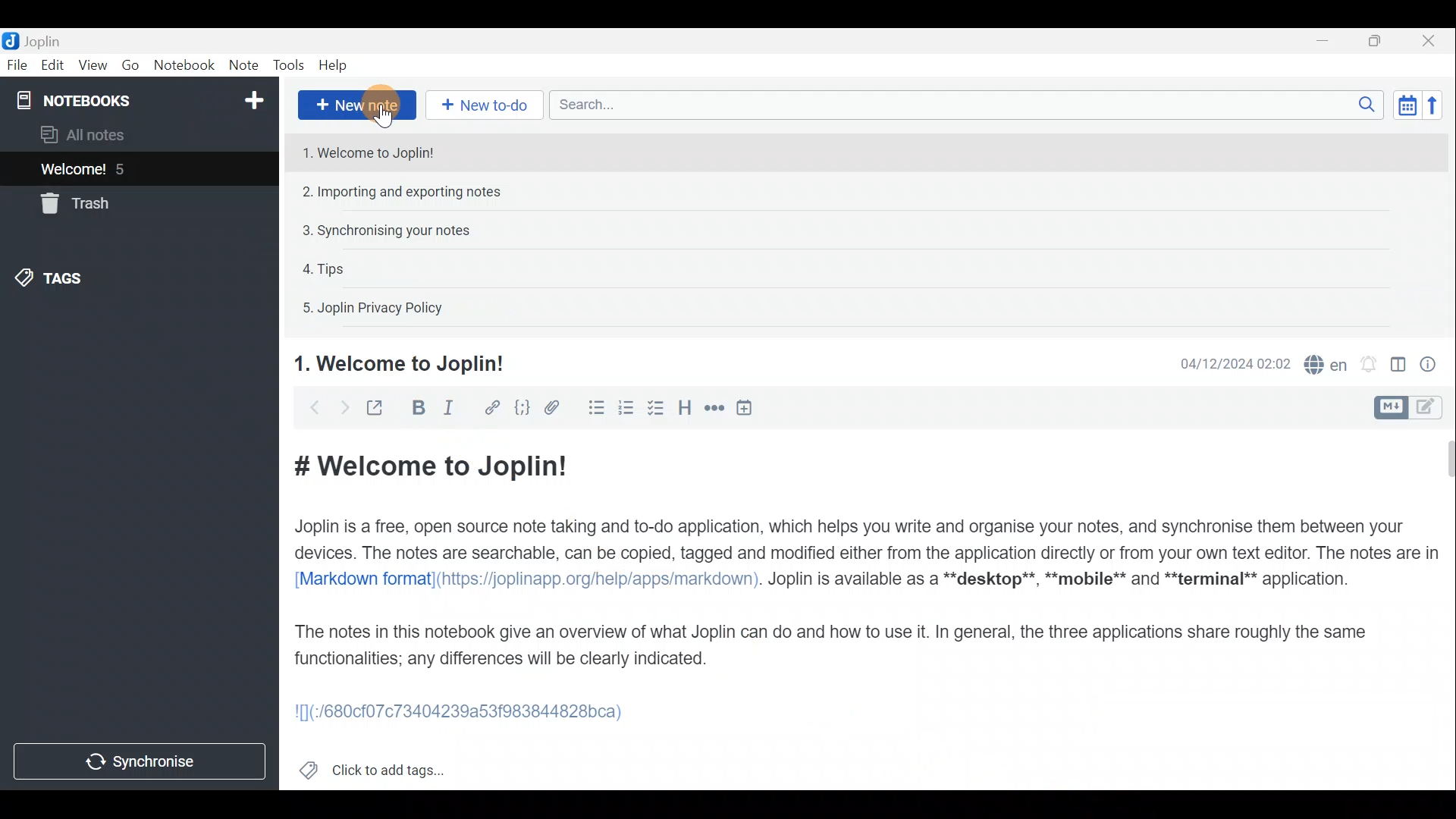 The image size is (1456, 819). I want to click on 5. Joplin Privacy Policy, so click(375, 306).